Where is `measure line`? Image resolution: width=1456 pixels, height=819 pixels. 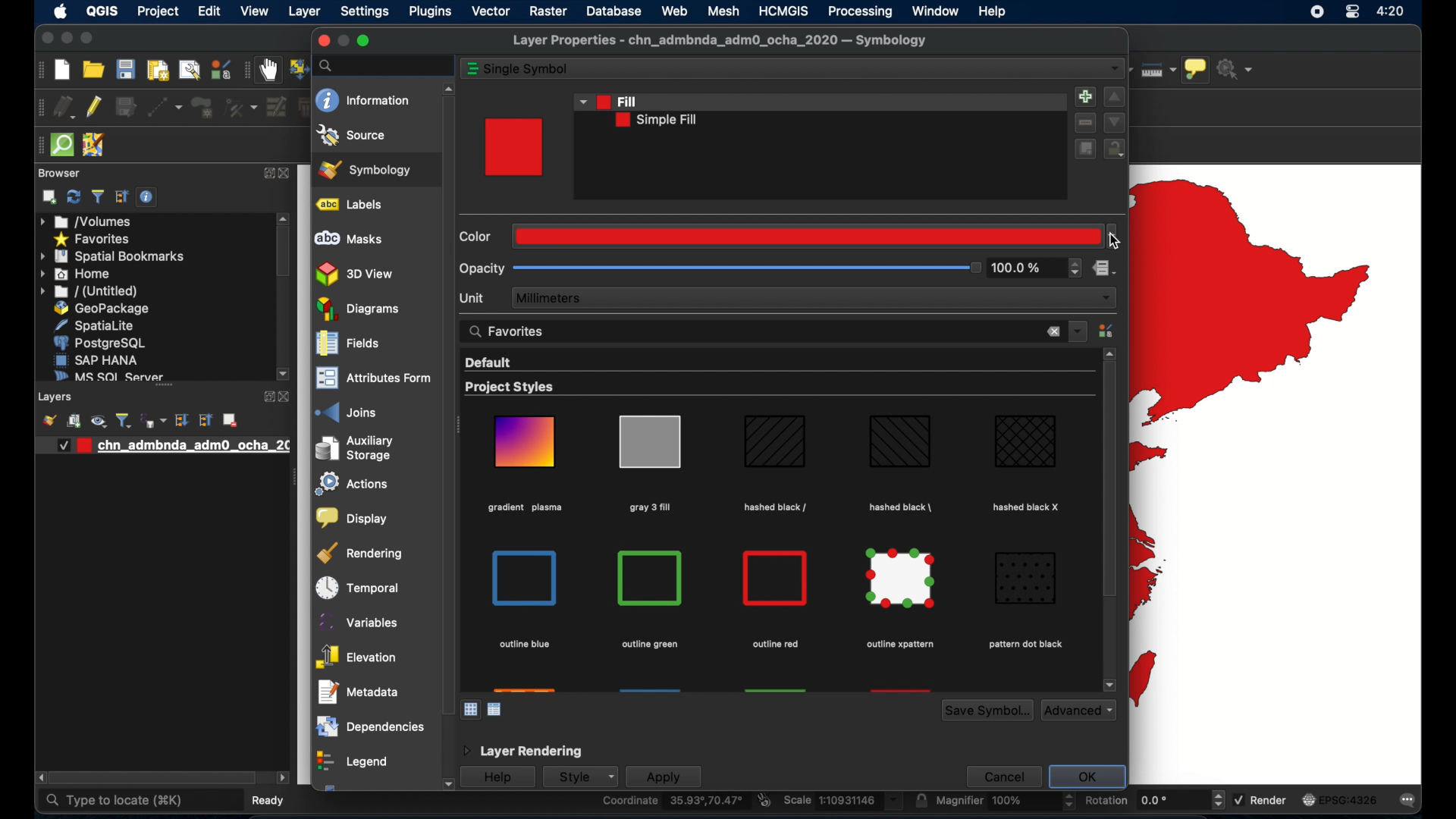 measure line is located at coordinates (1157, 69).